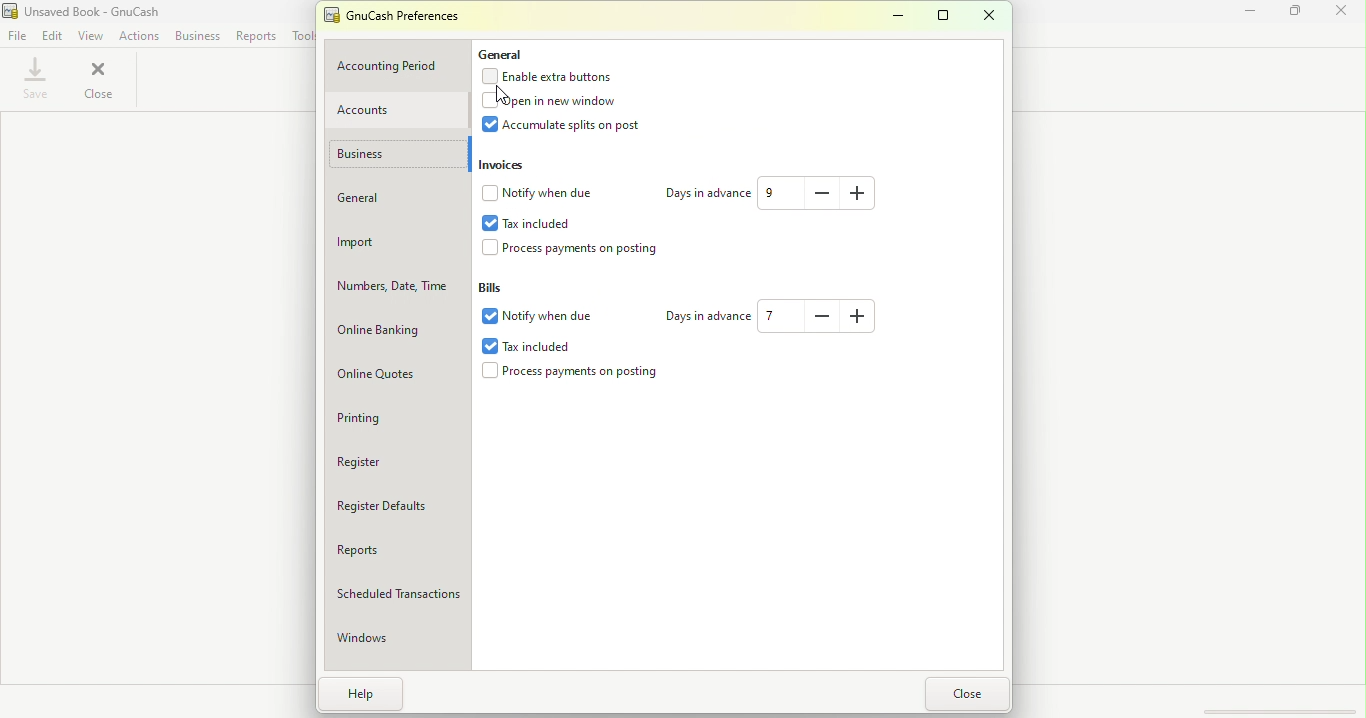  What do you see at coordinates (397, 504) in the screenshot?
I see `Register defaults` at bounding box center [397, 504].